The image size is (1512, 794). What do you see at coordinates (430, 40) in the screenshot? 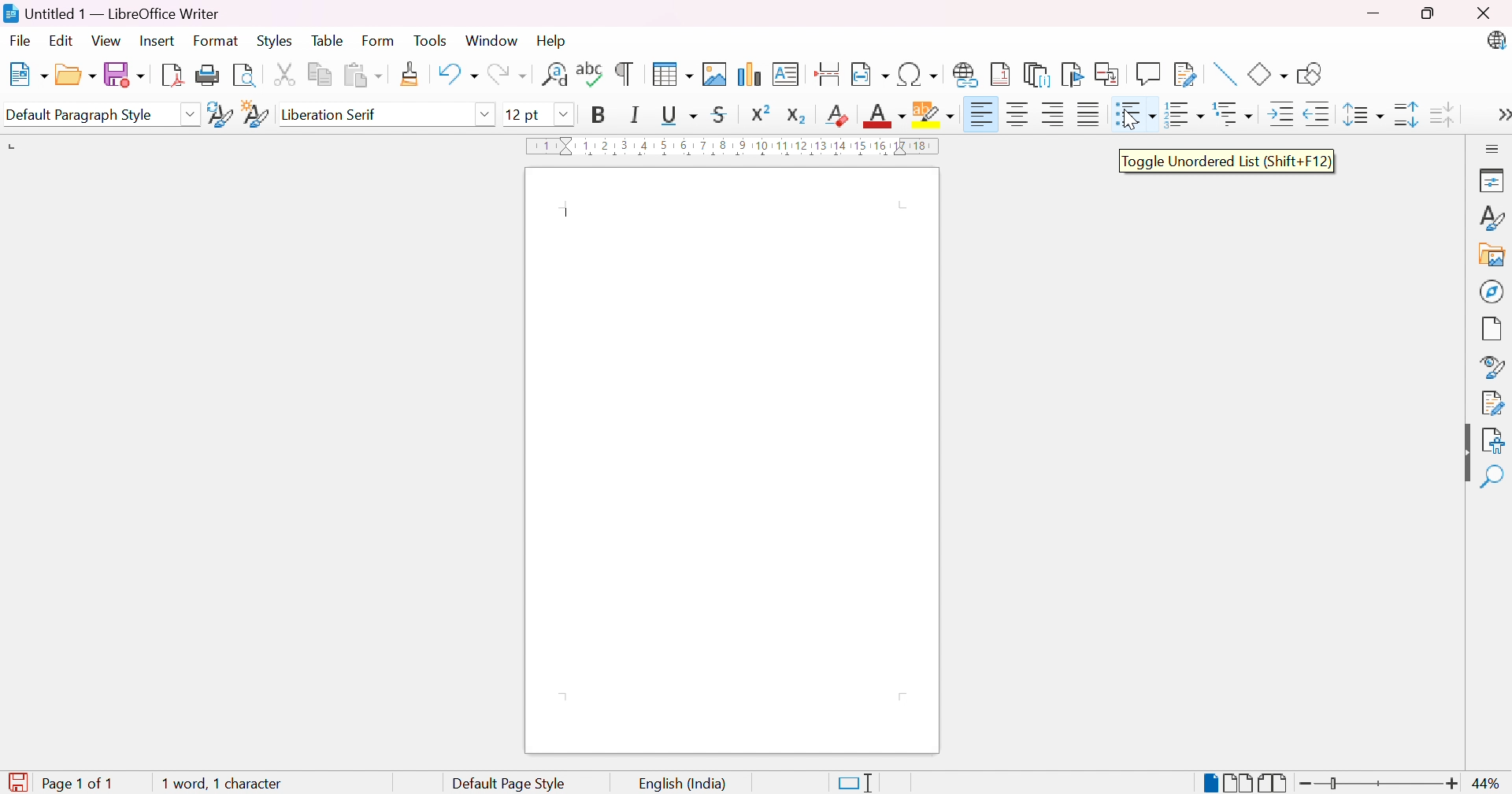
I see `Tools` at bounding box center [430, 40].